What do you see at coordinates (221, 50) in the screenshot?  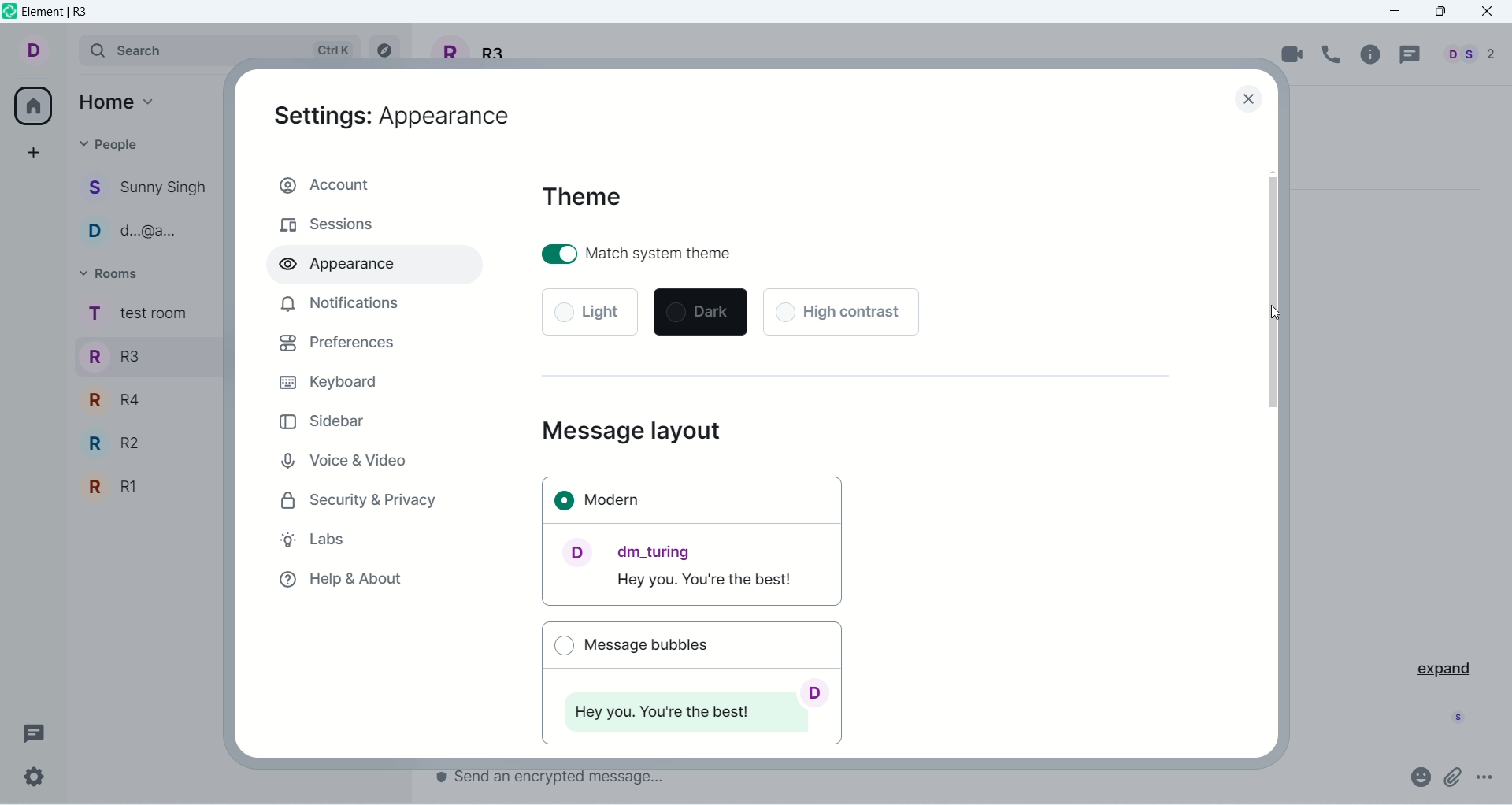 I see `search` at bounding box center [221, 50].